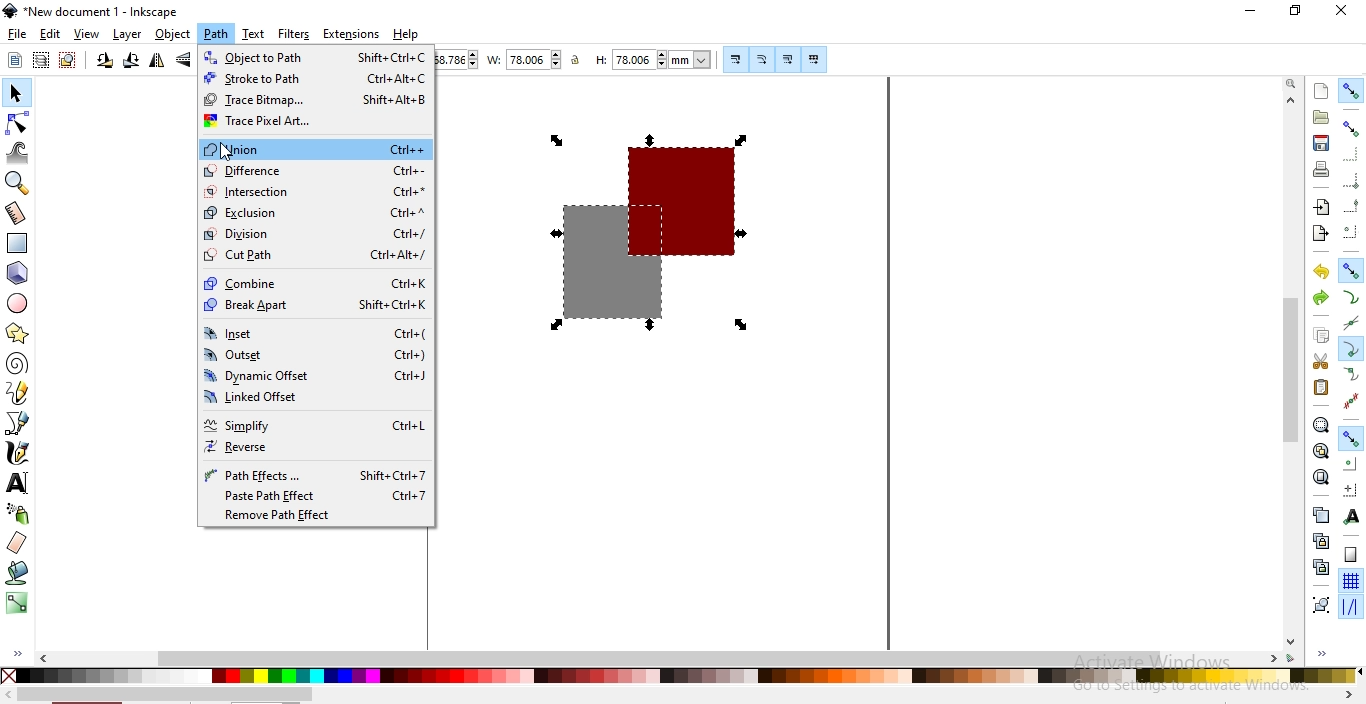  What do you see at coordinates (42, 60) in the screenshot?
I see `select any object in visible and unlocked layers` at bounding box center [42, 60].